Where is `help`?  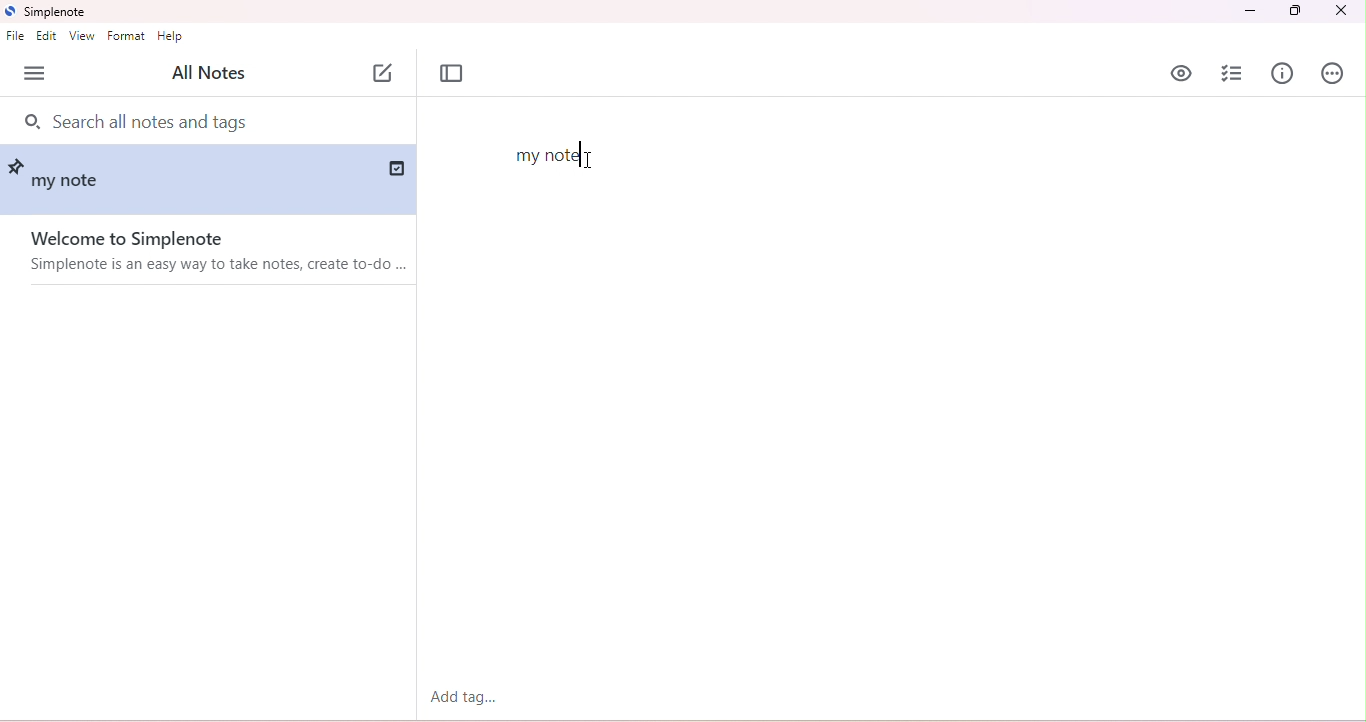
help is located at coordinates (170, 37).